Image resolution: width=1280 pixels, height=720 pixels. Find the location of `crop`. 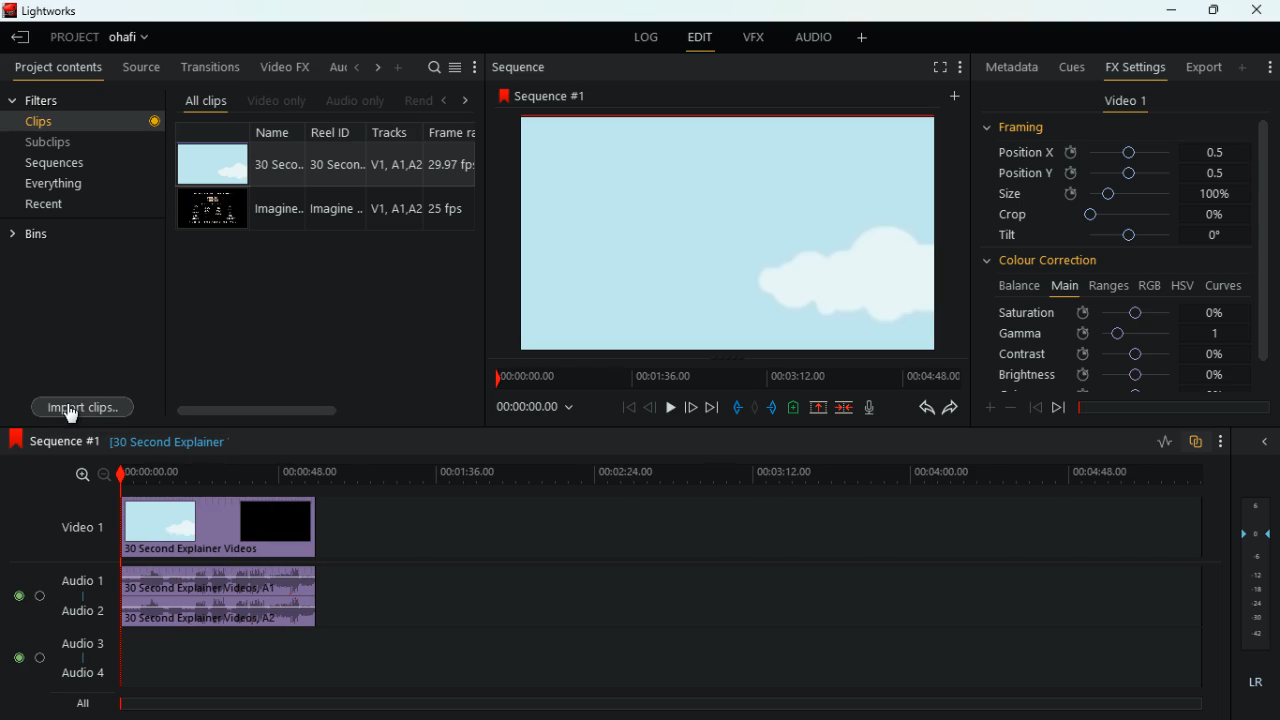

crop is located at coordinates (1113, 217).